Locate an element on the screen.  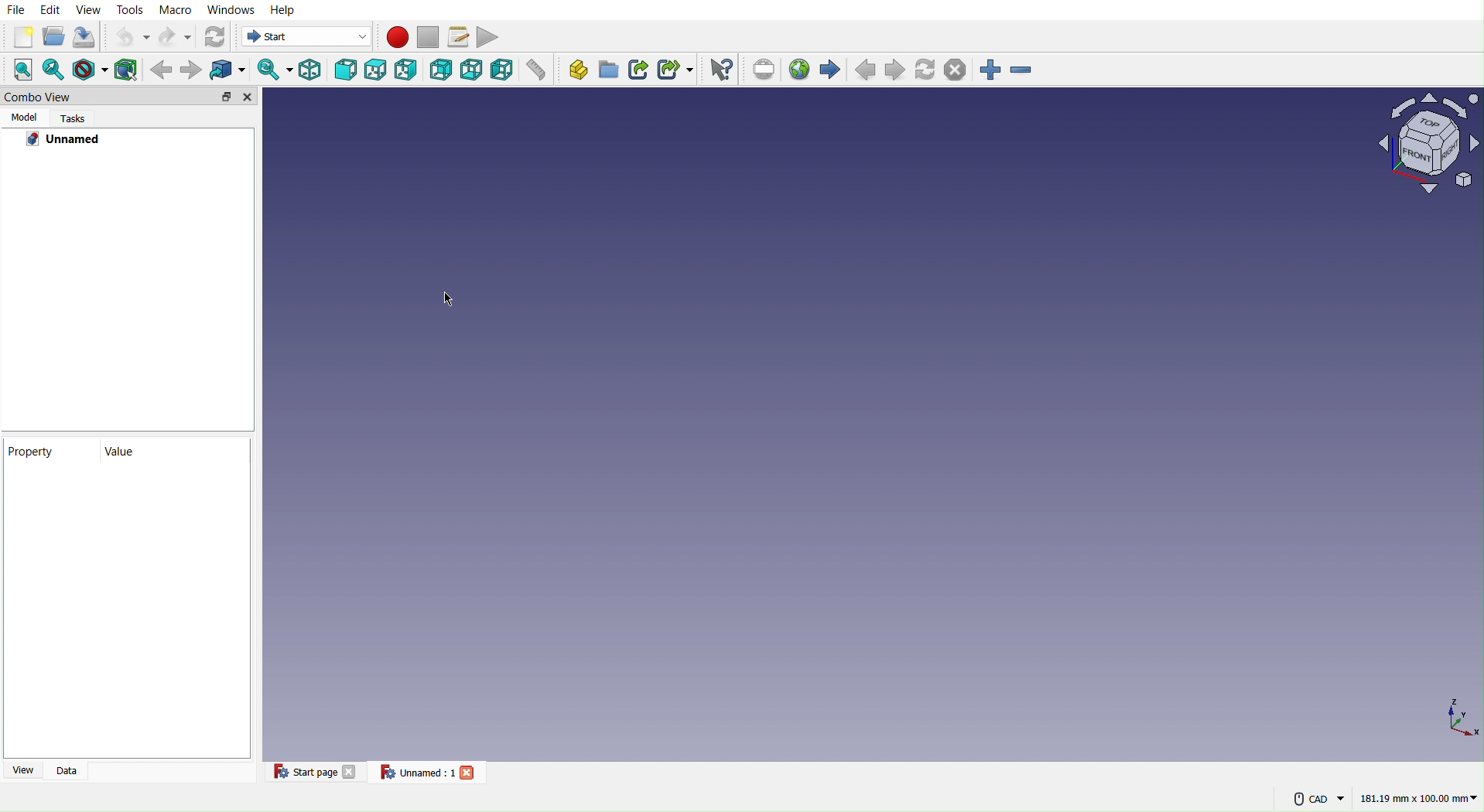
Undo is located at coordinates (132, 37).